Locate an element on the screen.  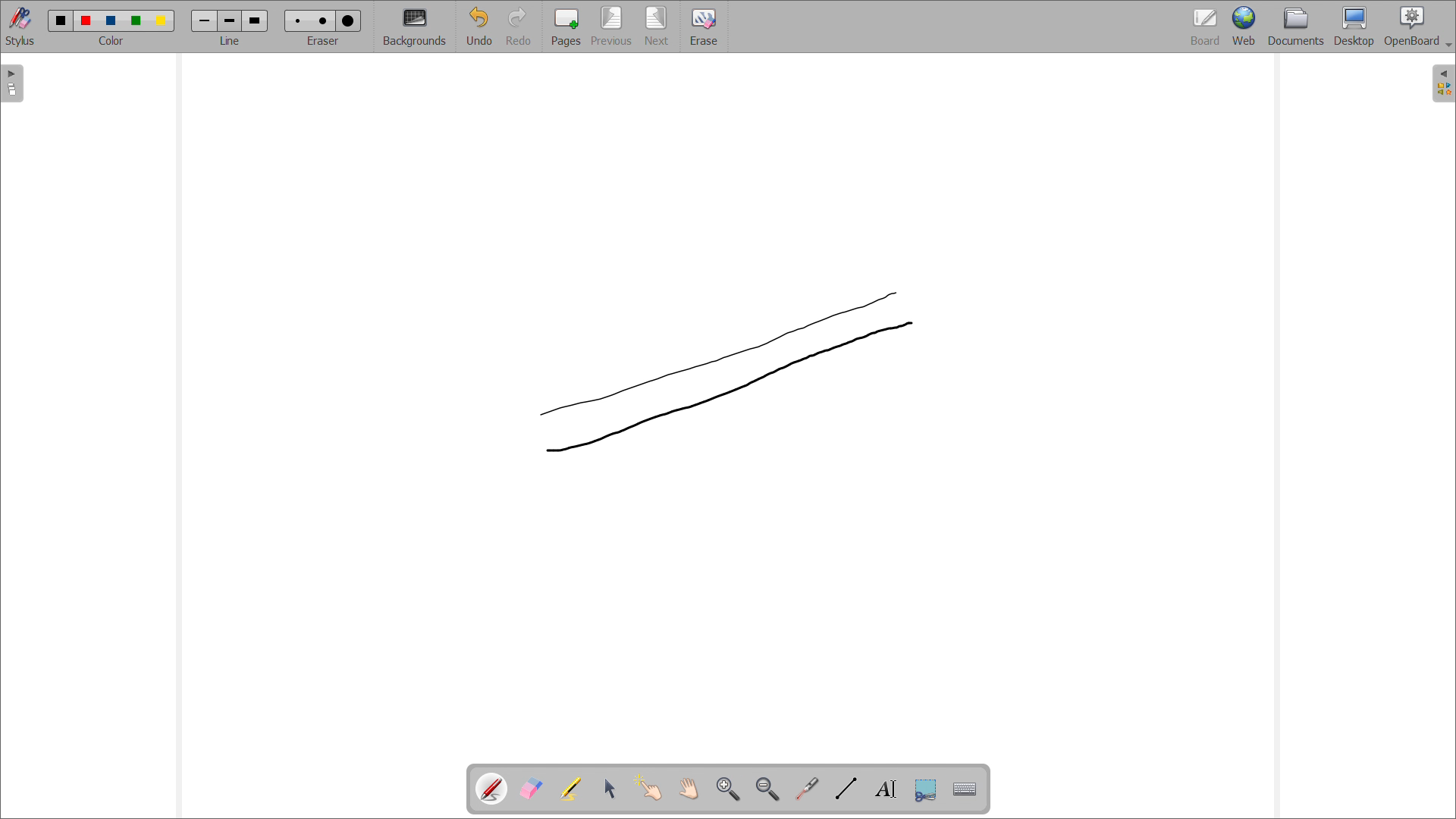
select and modify objects is located at coordinates (610, 789).